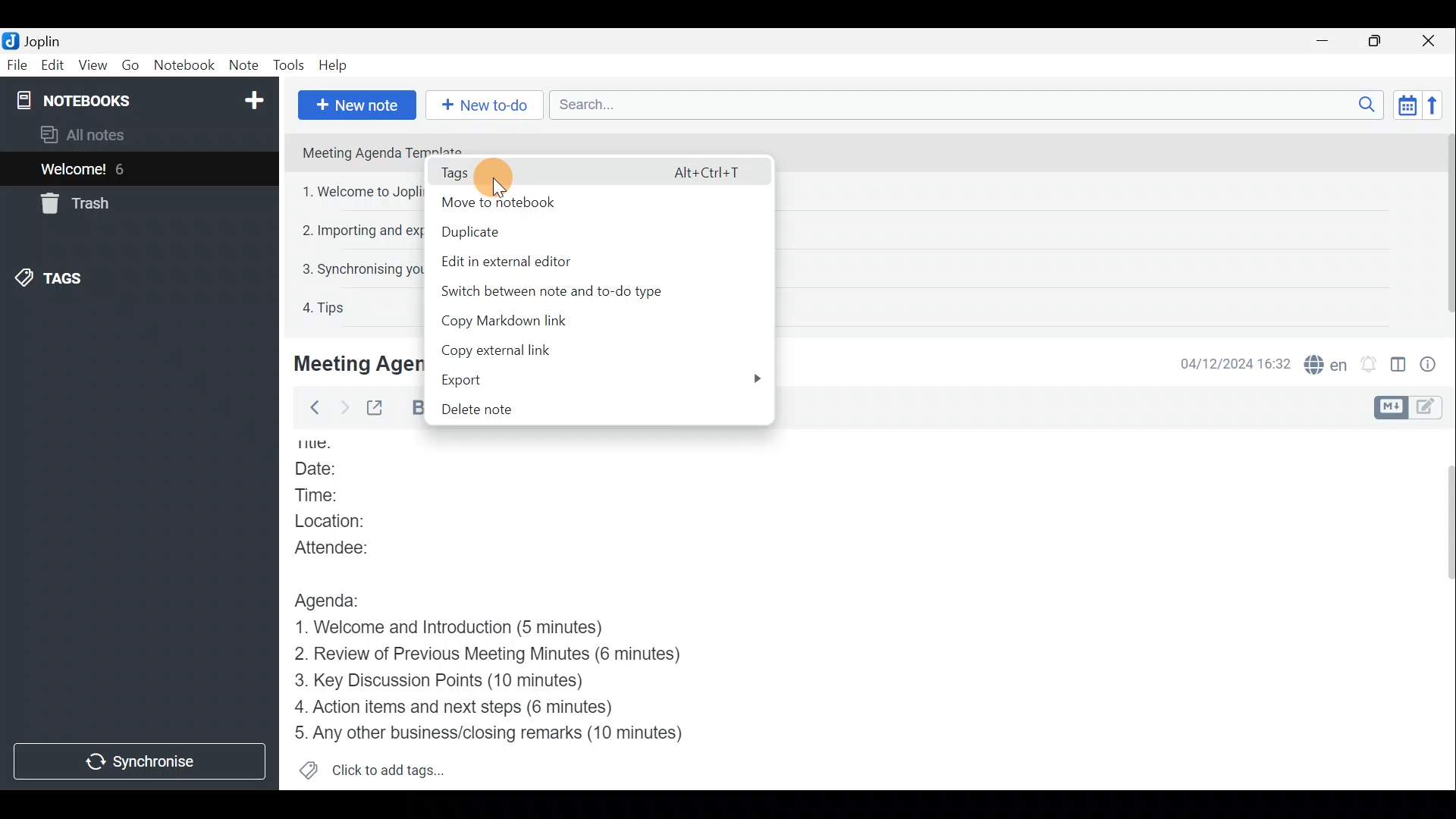  What do you see at coordinates (1437, 105) in the screenshot?
I see `Reverse sort order` at bounding box center [1437, 105].